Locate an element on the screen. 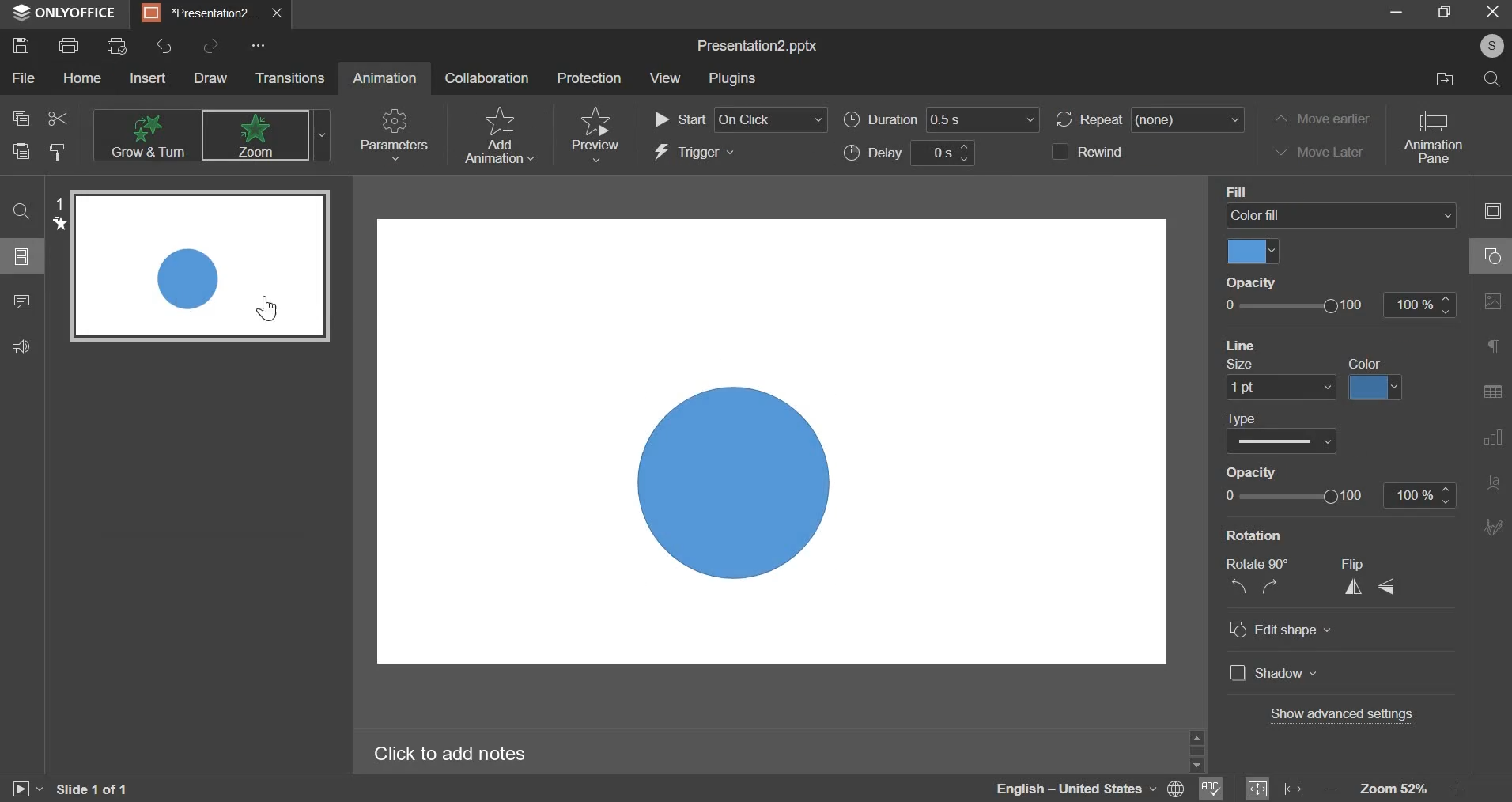 The width and height of the screenshot is (1512, 802). slides is located at coordinates (24, 256).